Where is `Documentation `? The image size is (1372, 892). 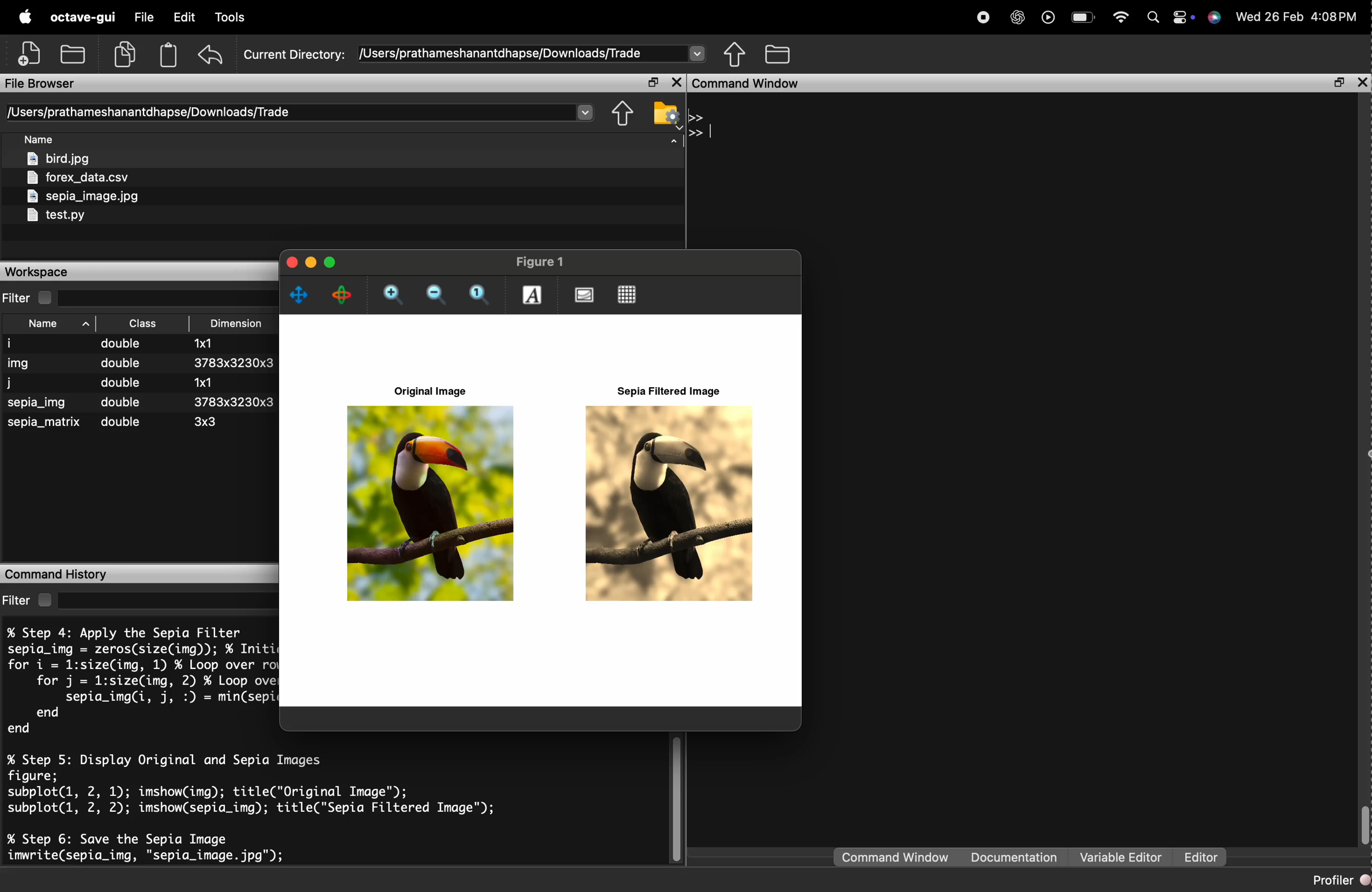 Documentation  is located at coordinates (1016, 856).